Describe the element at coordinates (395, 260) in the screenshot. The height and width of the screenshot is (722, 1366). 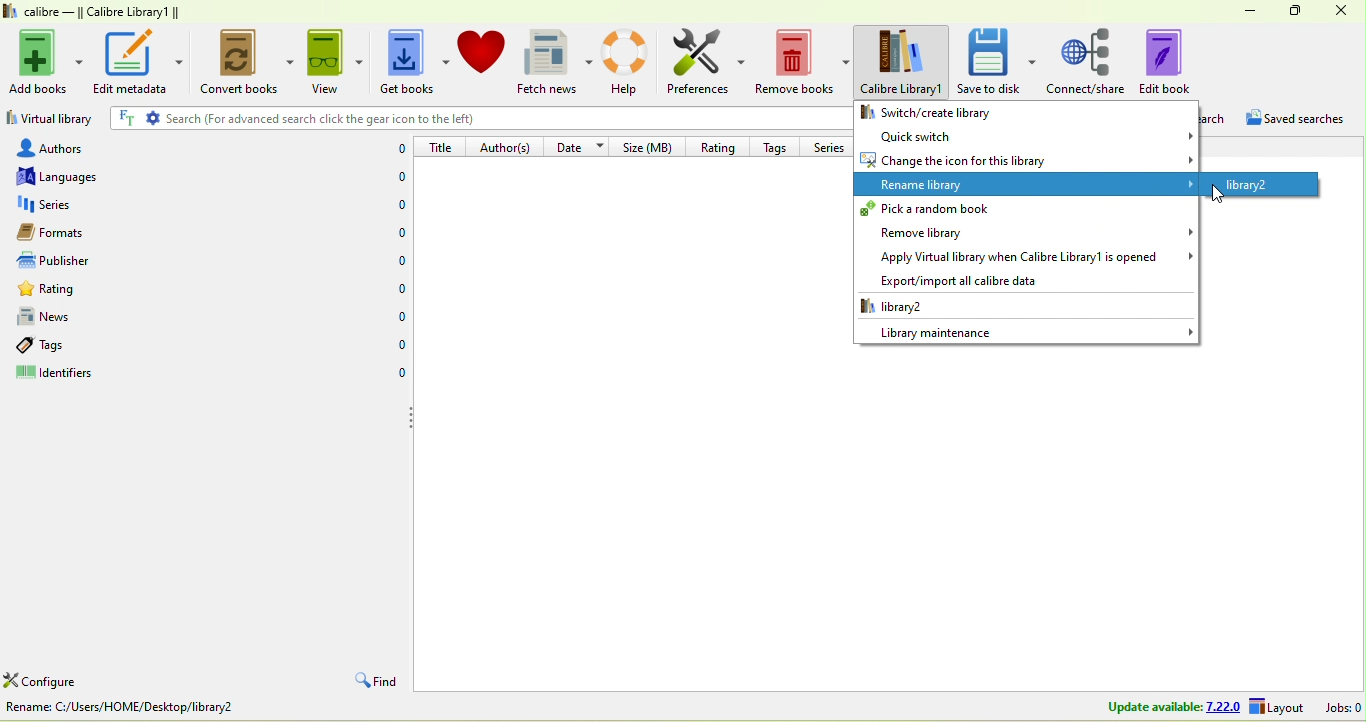
I see `0` at that location.